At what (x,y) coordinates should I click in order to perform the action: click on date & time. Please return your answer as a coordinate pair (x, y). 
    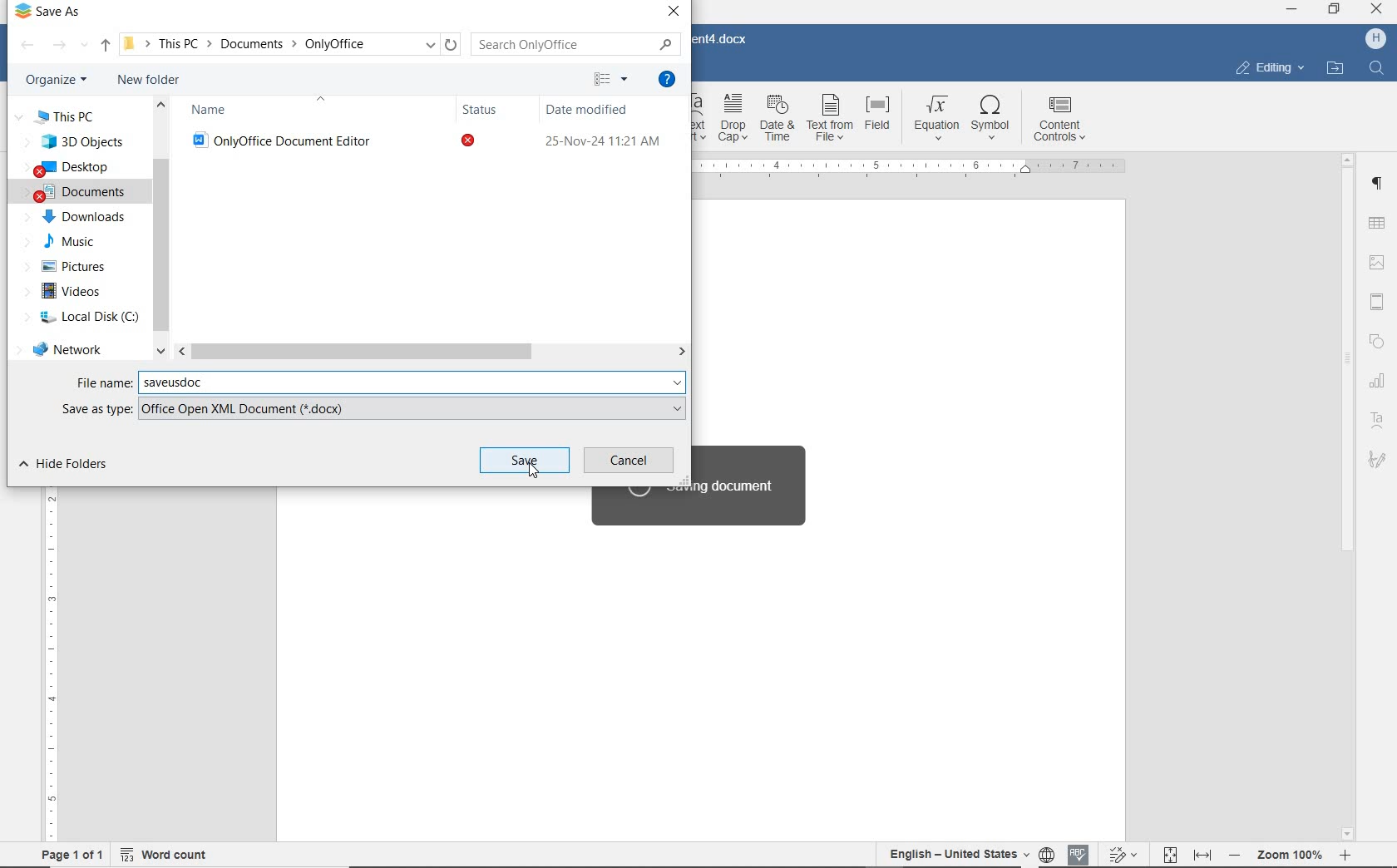
    Looking at the image, I should click on (778, 121).